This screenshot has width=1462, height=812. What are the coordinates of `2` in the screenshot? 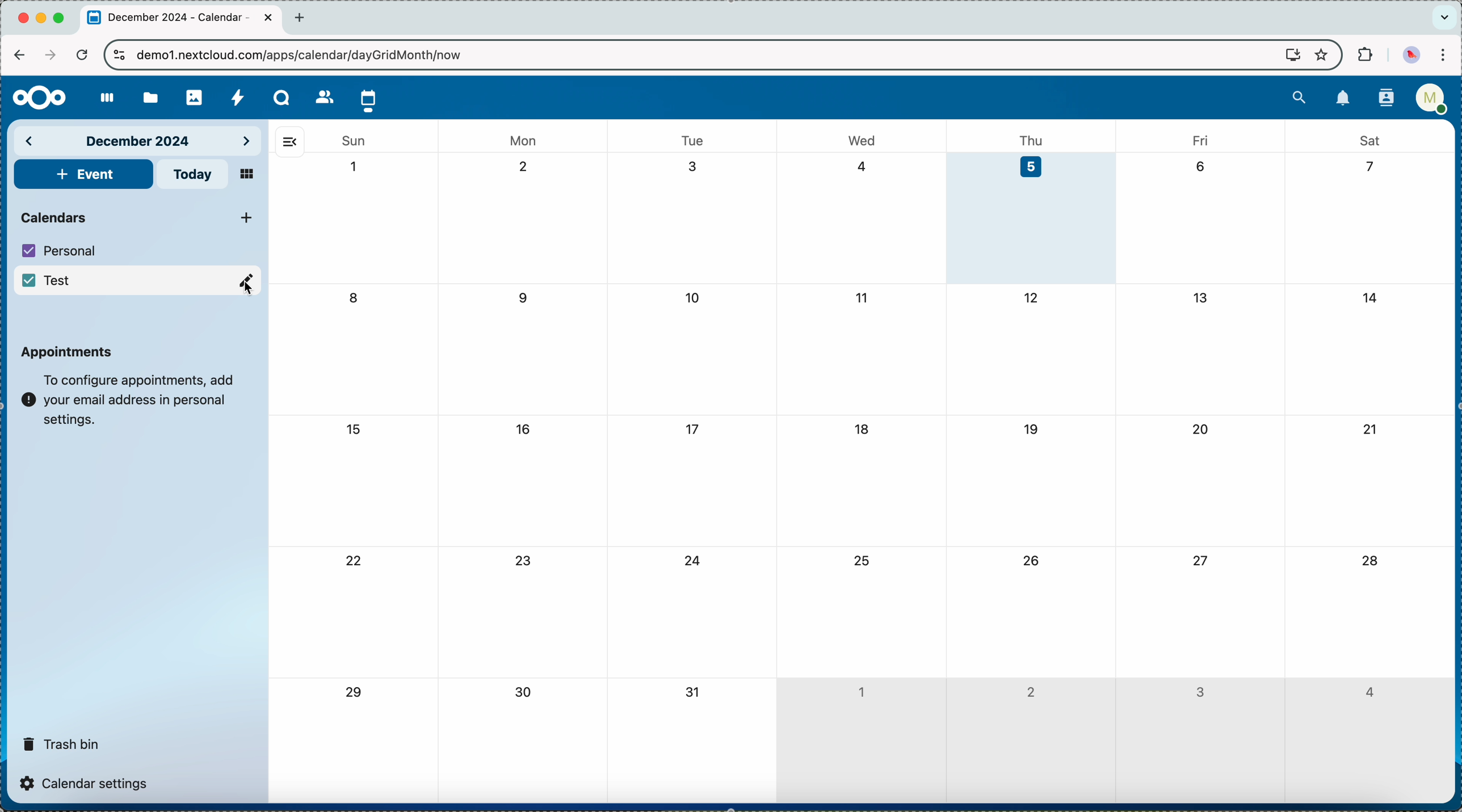 It's located at (528, 167).